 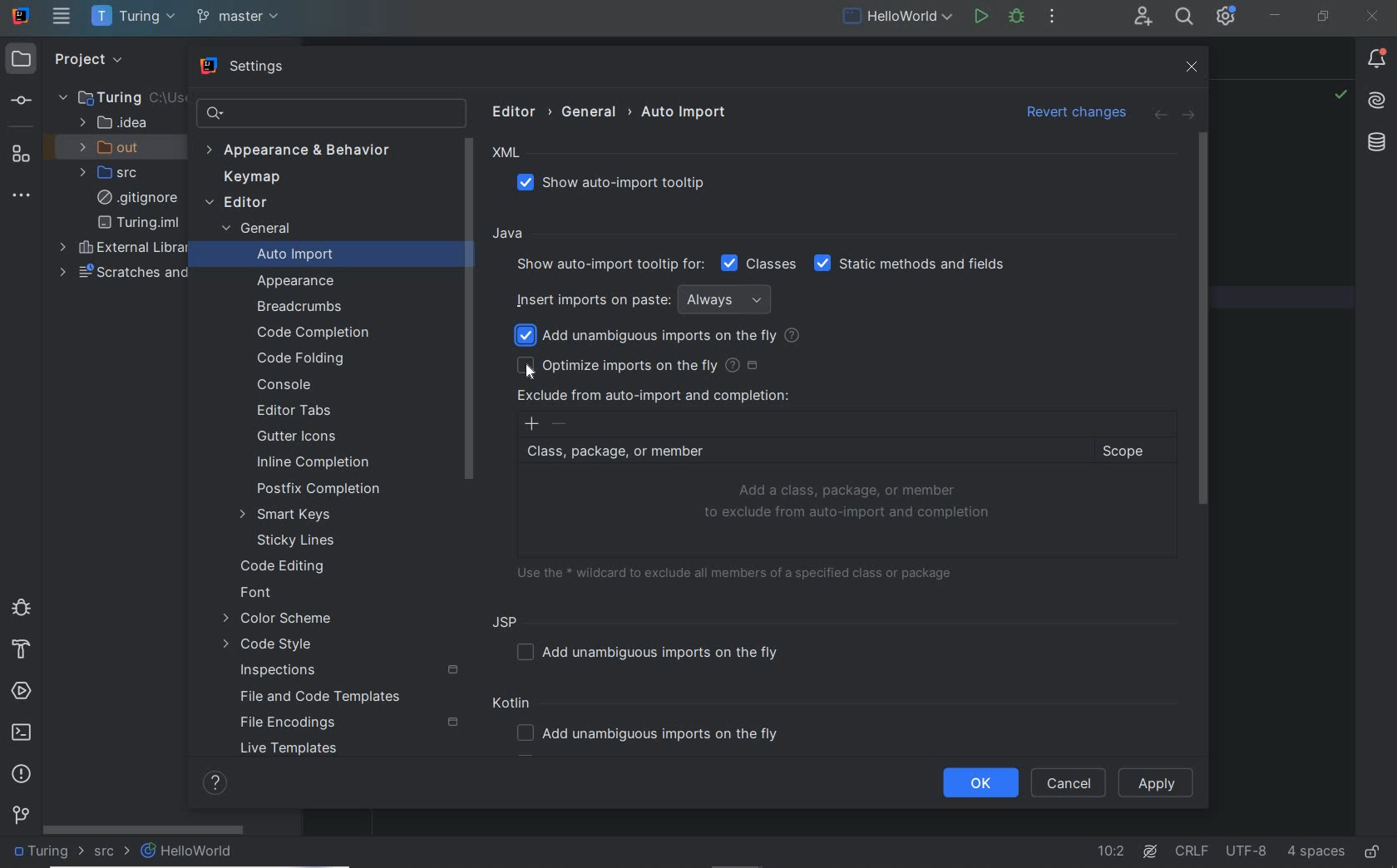 I want to click on BREADCRUMBS, so click(x=303, y=308).